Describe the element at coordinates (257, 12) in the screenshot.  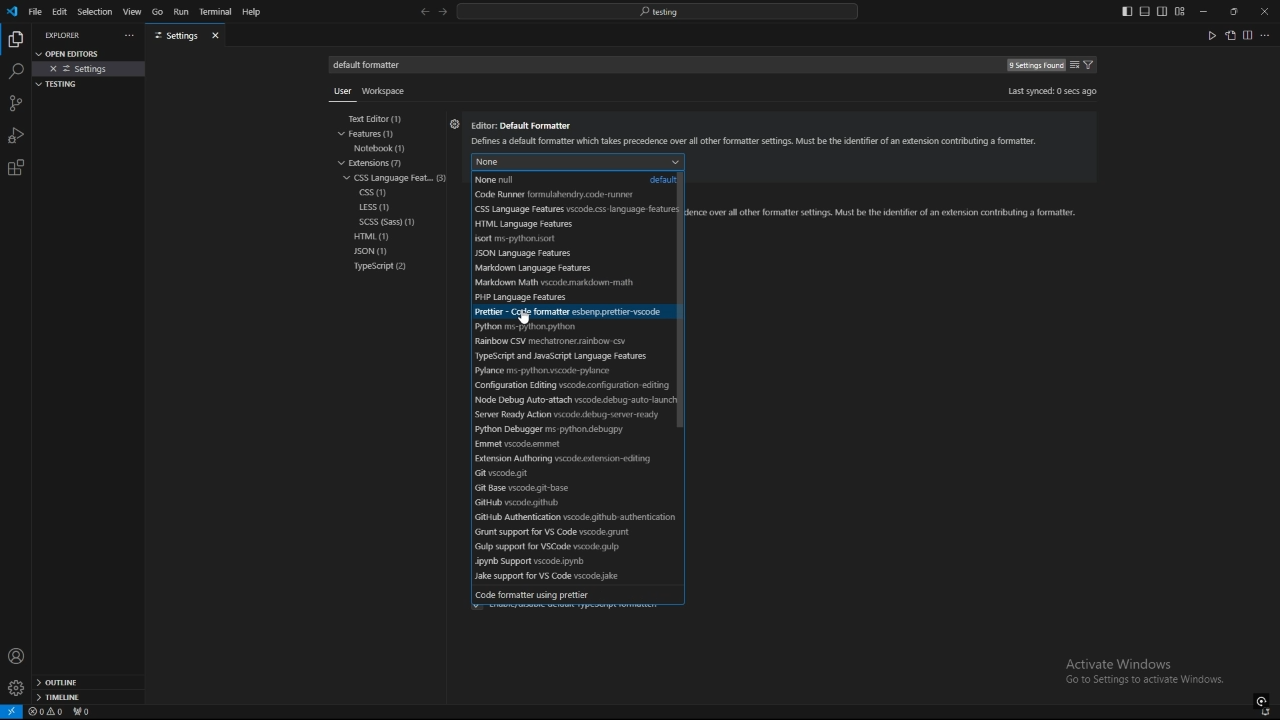
I see `help` at that location.